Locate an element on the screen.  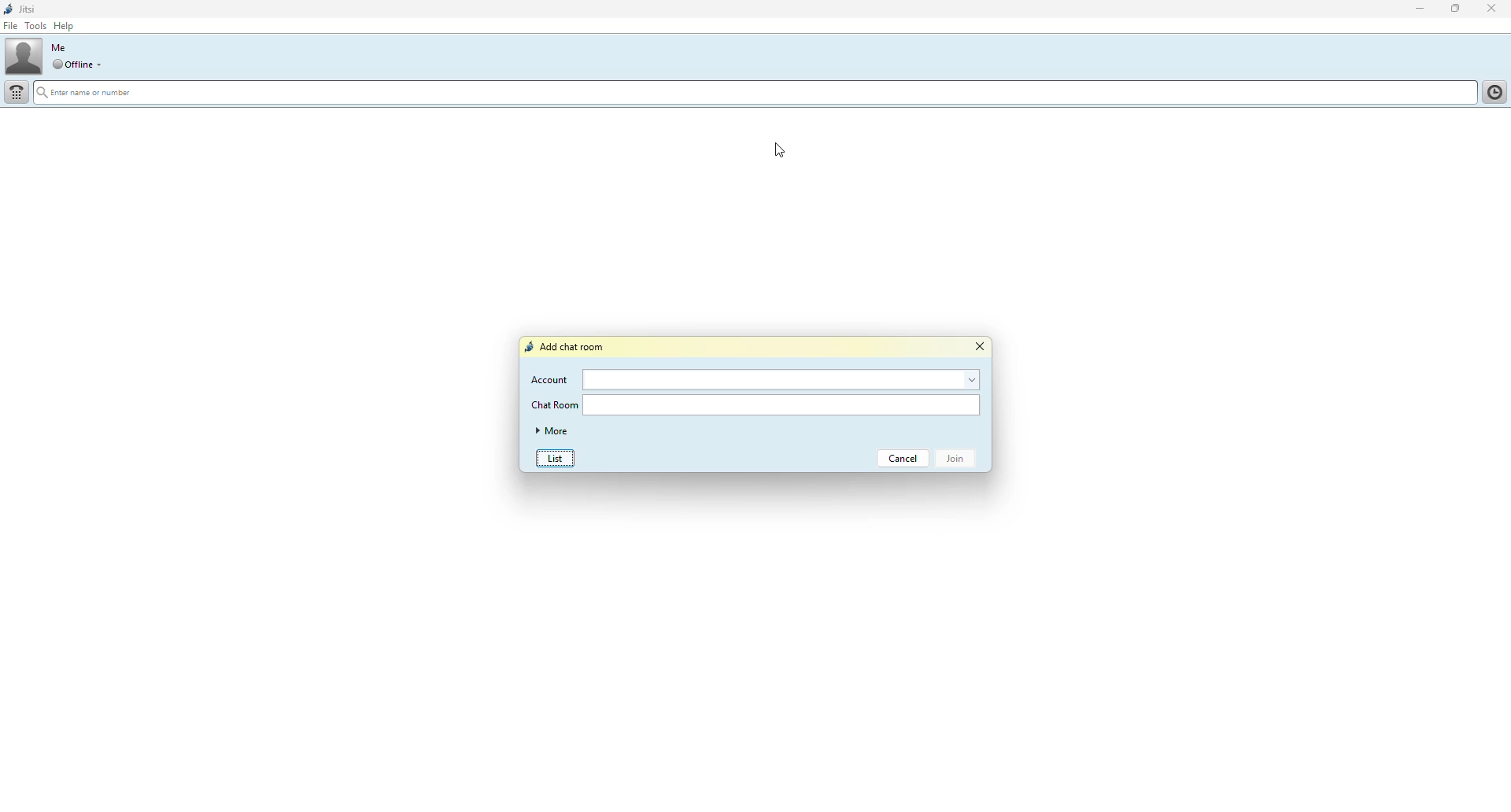
account is located at coordinates (781, 381).